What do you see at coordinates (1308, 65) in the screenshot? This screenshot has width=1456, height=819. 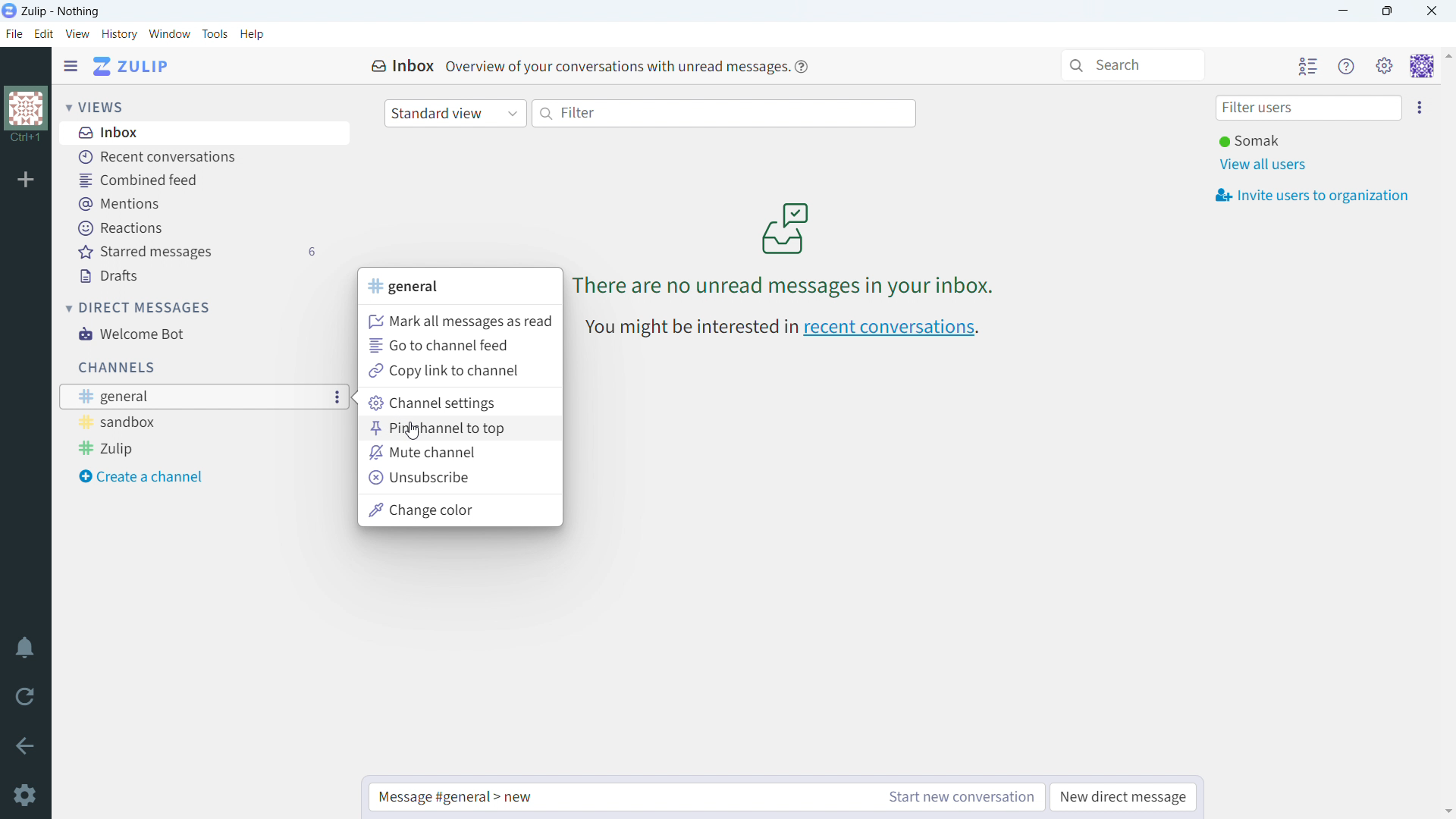 I see `hide user list` at bounding box center [1308, 65].